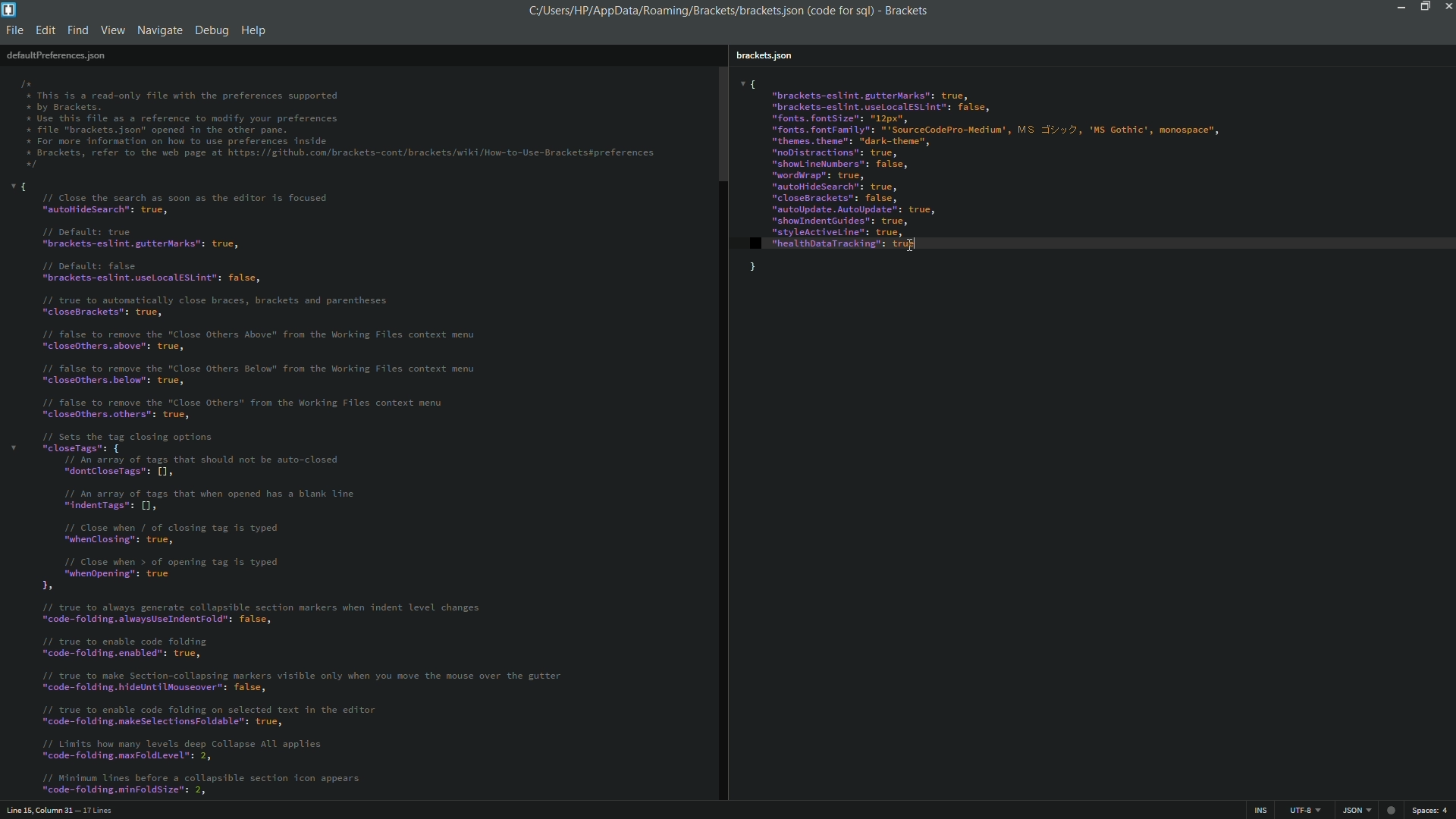 The image size is (1456, 819). Describe the element at coordinates (160, 30) in the screenshot. I see `Navigate menu` at that location.